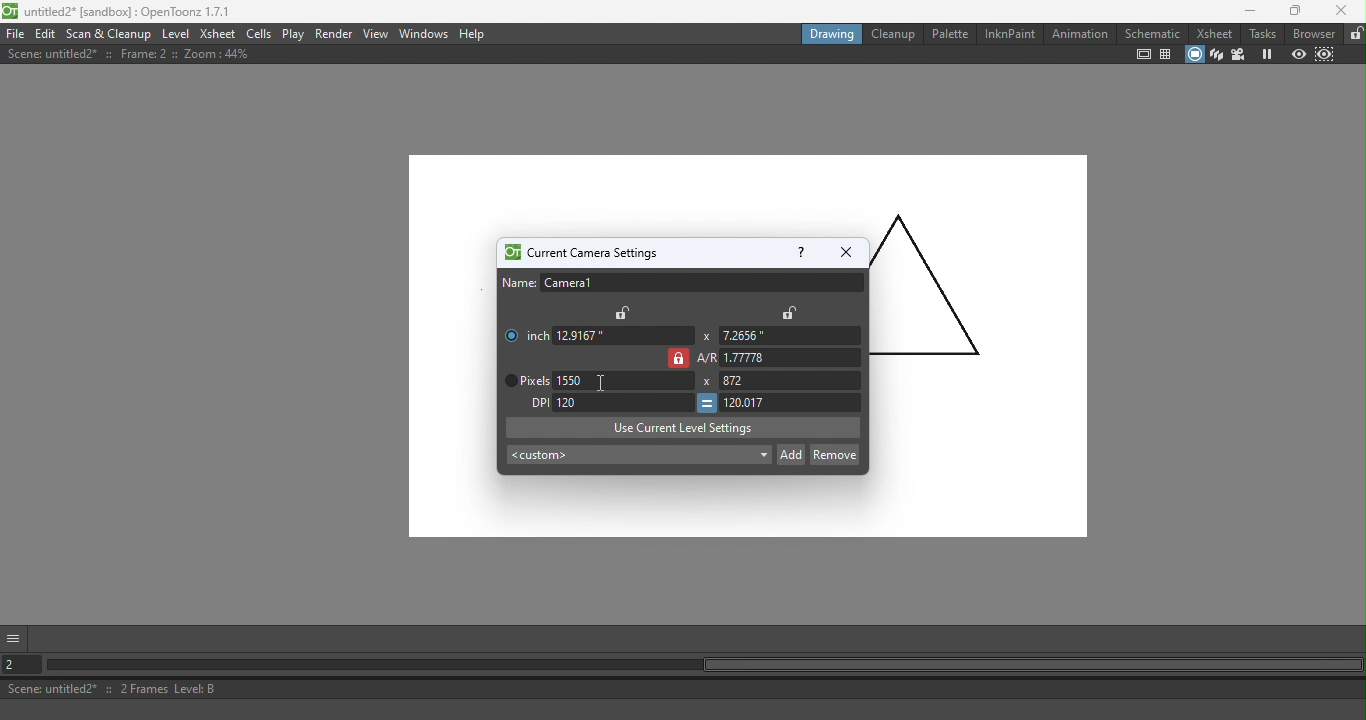  Describe the element at coordinates (218, 33) in the screenshot. I see `Xsheet` at that location.